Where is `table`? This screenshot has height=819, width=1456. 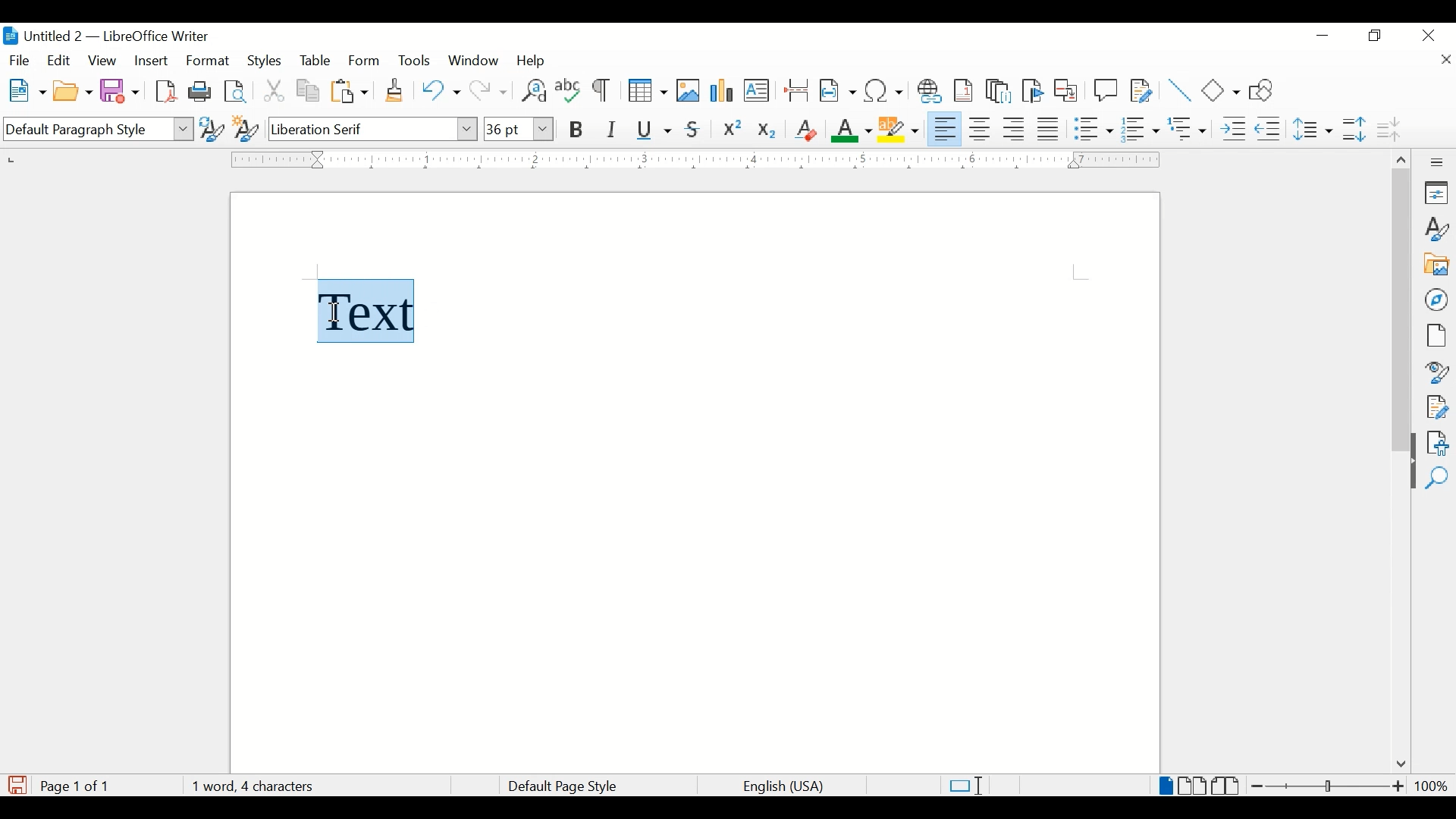
table is located at coordinates (315, 61).